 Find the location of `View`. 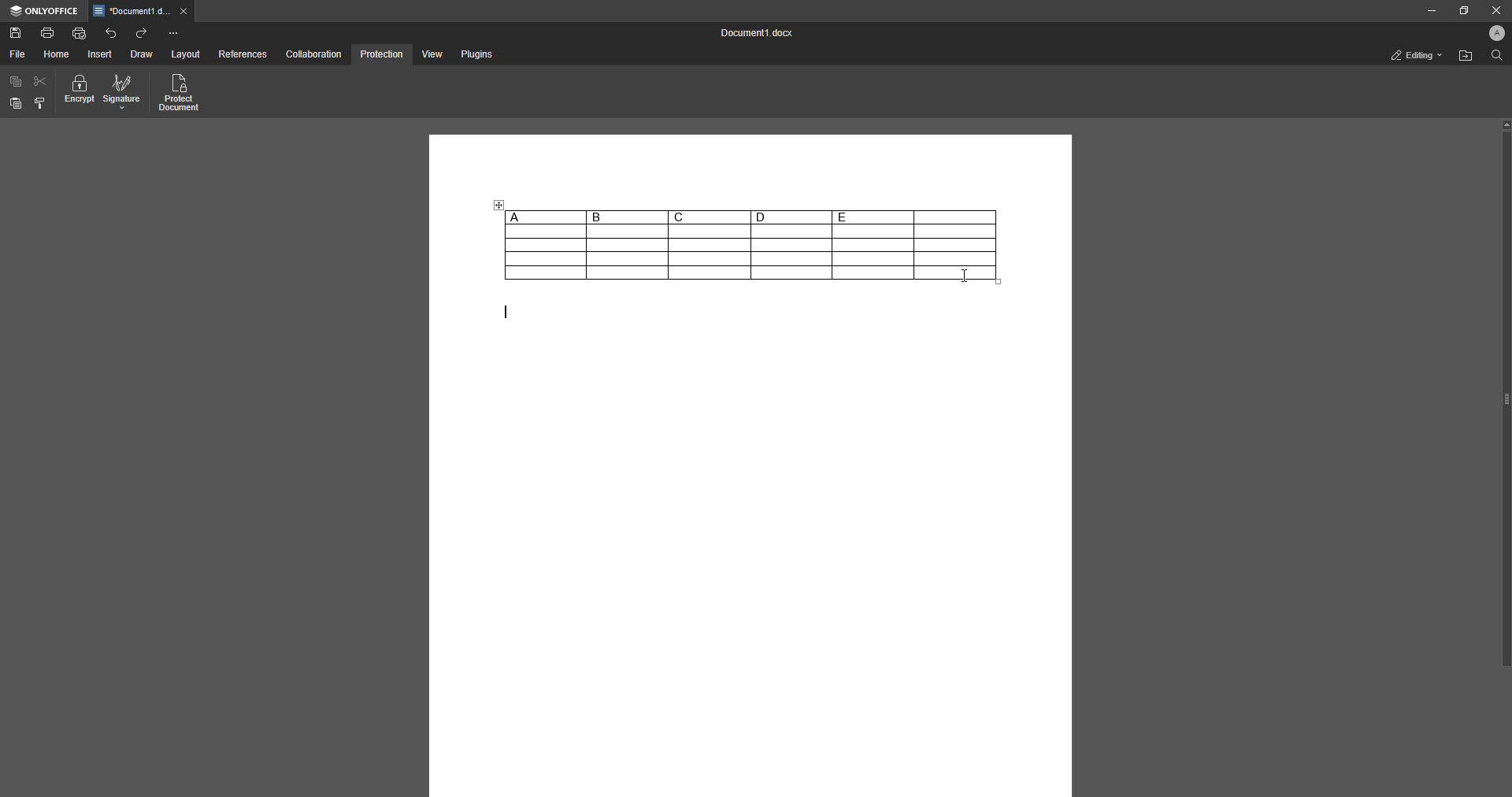

View is located at coordinates (430, 55).